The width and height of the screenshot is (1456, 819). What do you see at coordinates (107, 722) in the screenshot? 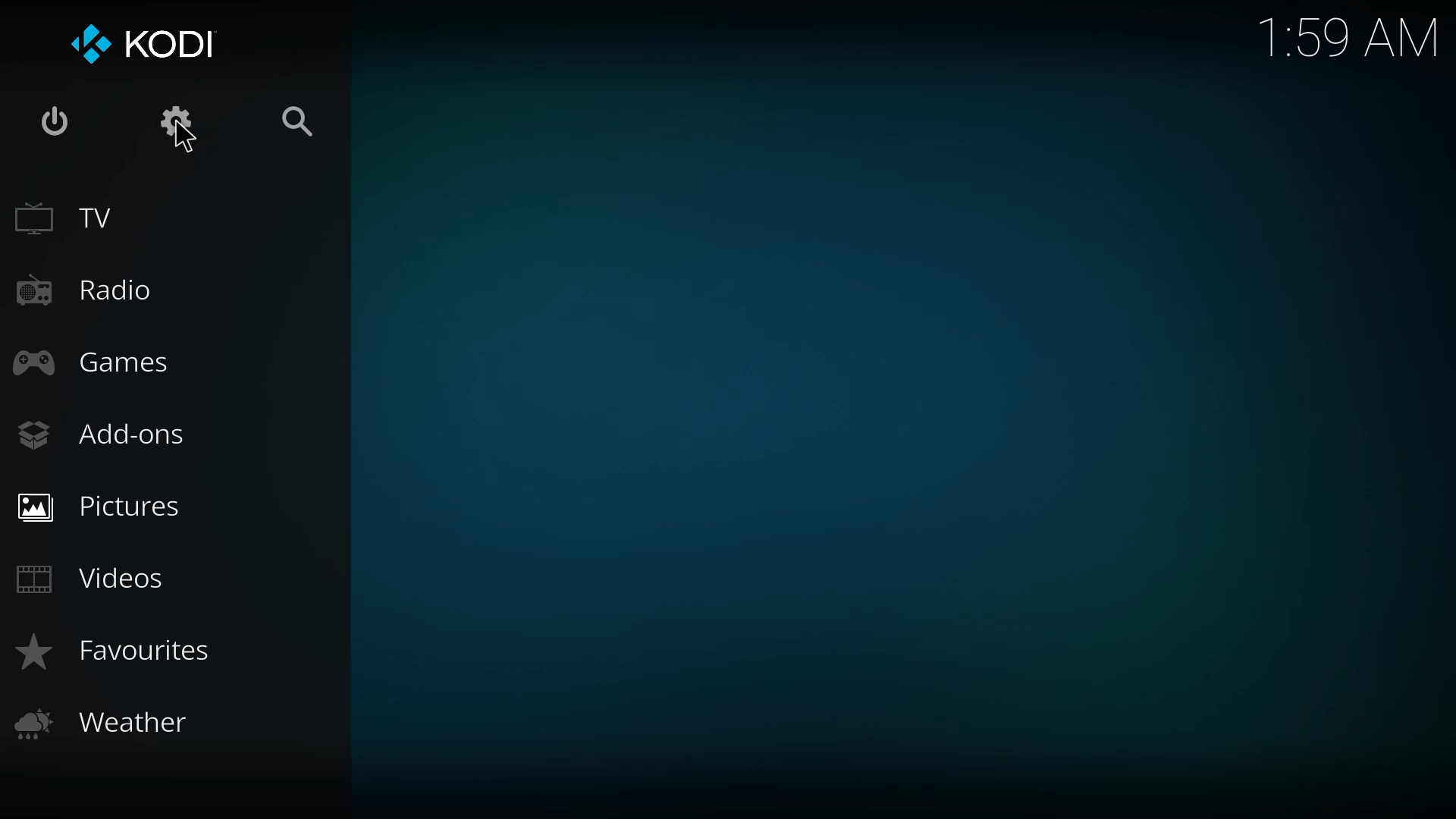
I see `weather` at bounding box center [107, 722].